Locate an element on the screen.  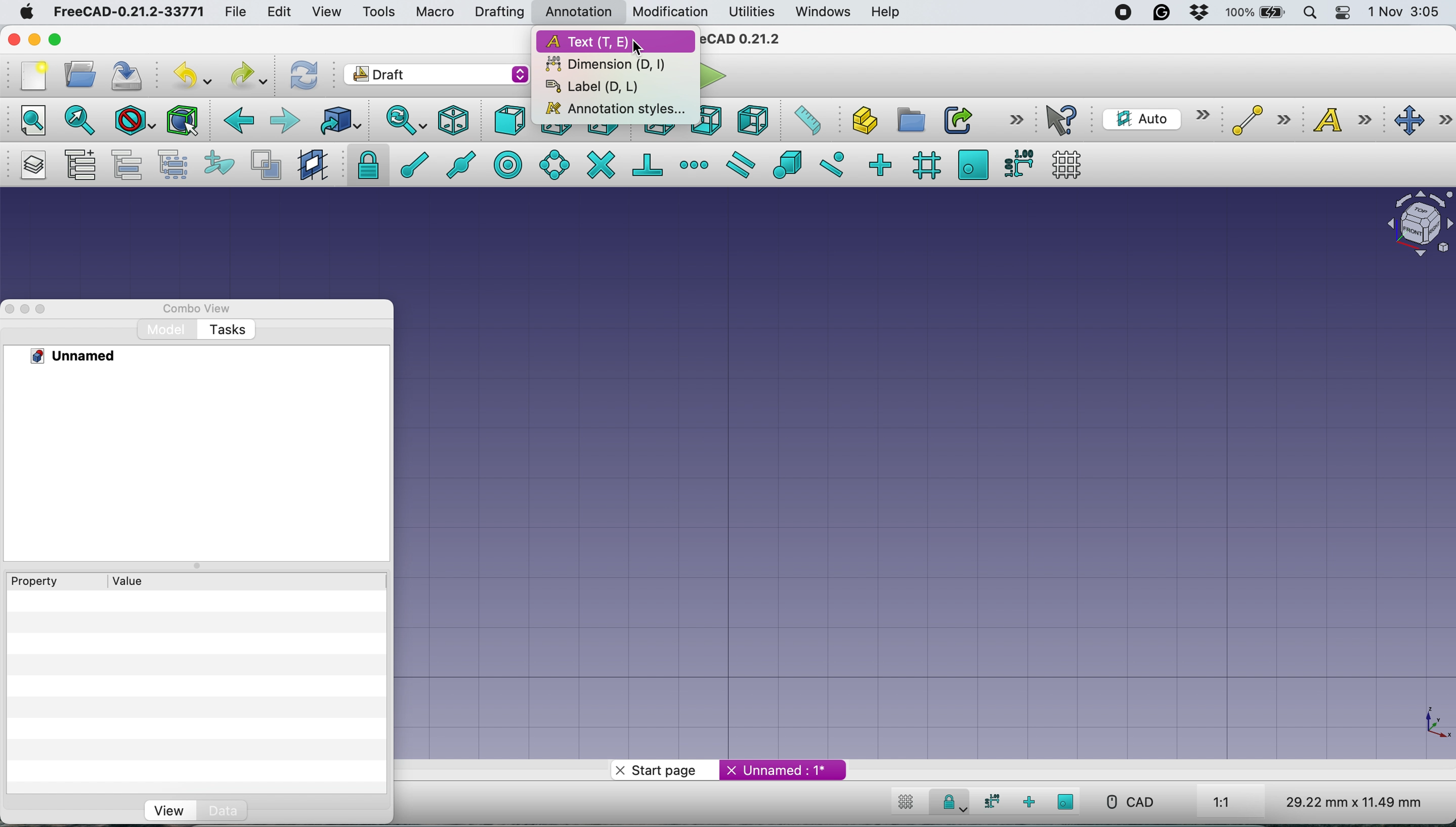
tools is located at coordinates (378, 12).